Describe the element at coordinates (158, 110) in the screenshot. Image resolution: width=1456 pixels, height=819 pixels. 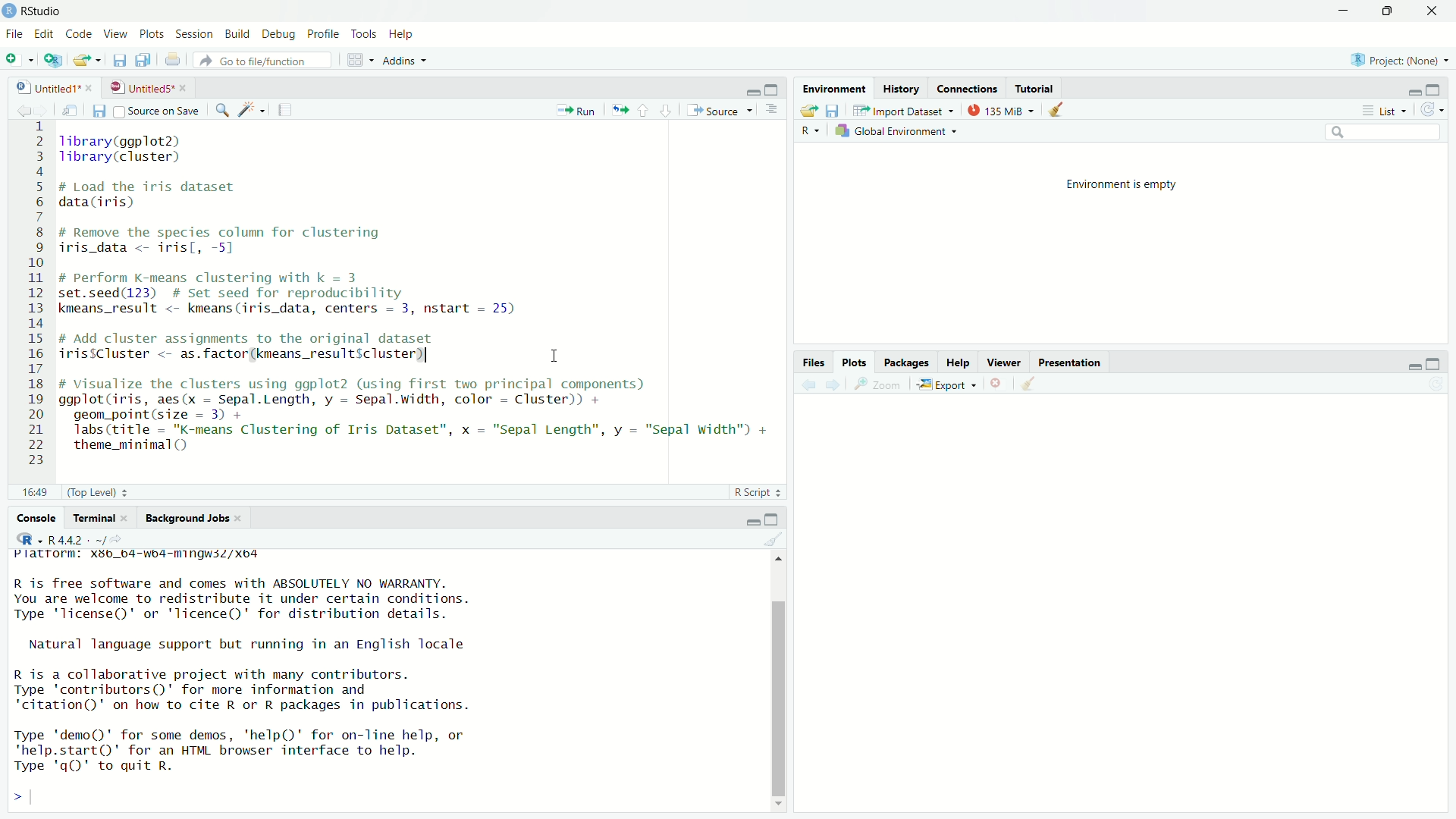
I see `source on save` at that location.